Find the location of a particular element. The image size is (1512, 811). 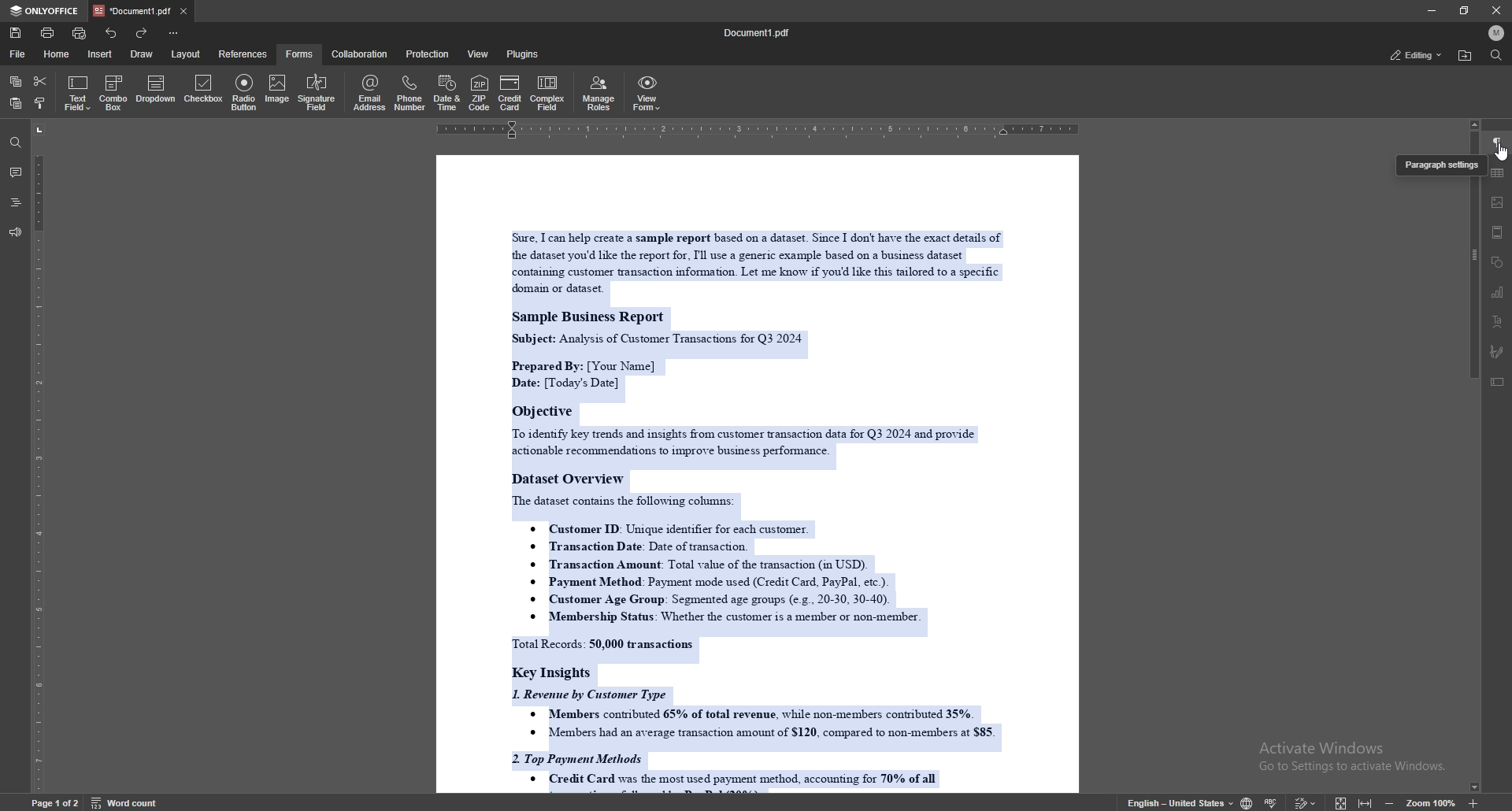

find is located at coordinates (1496, 55).